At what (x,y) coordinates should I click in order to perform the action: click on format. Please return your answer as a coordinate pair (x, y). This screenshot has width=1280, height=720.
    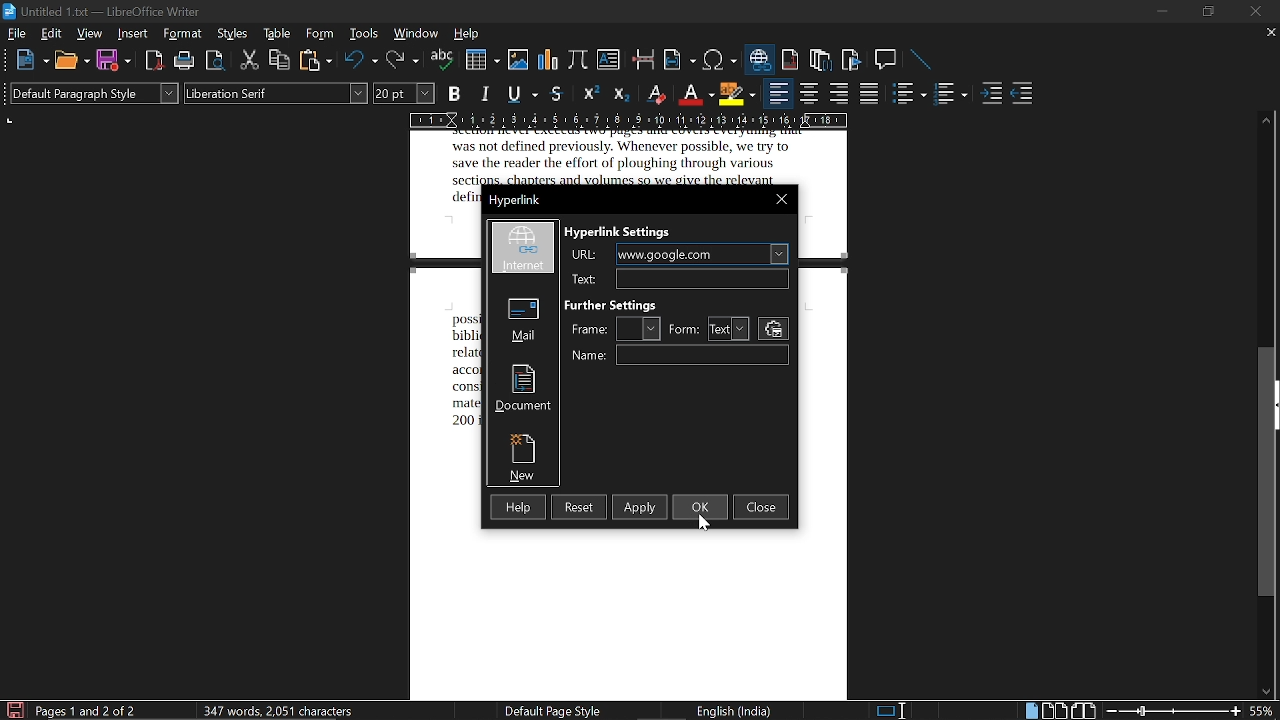
    Looking at the image, I should click on (183, 34).